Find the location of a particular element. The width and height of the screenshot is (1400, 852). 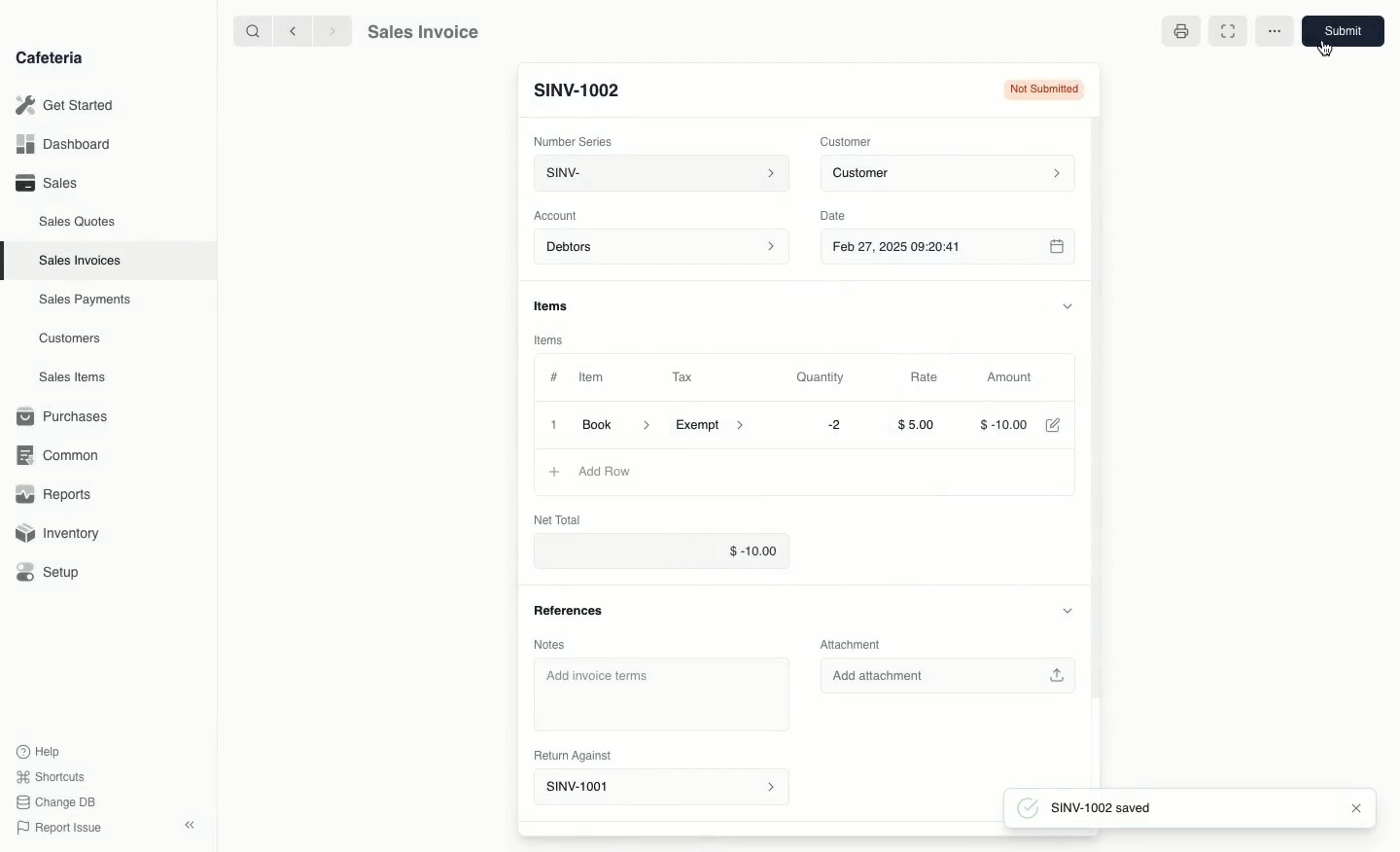

SINV- is located at coordinates (660, 173).